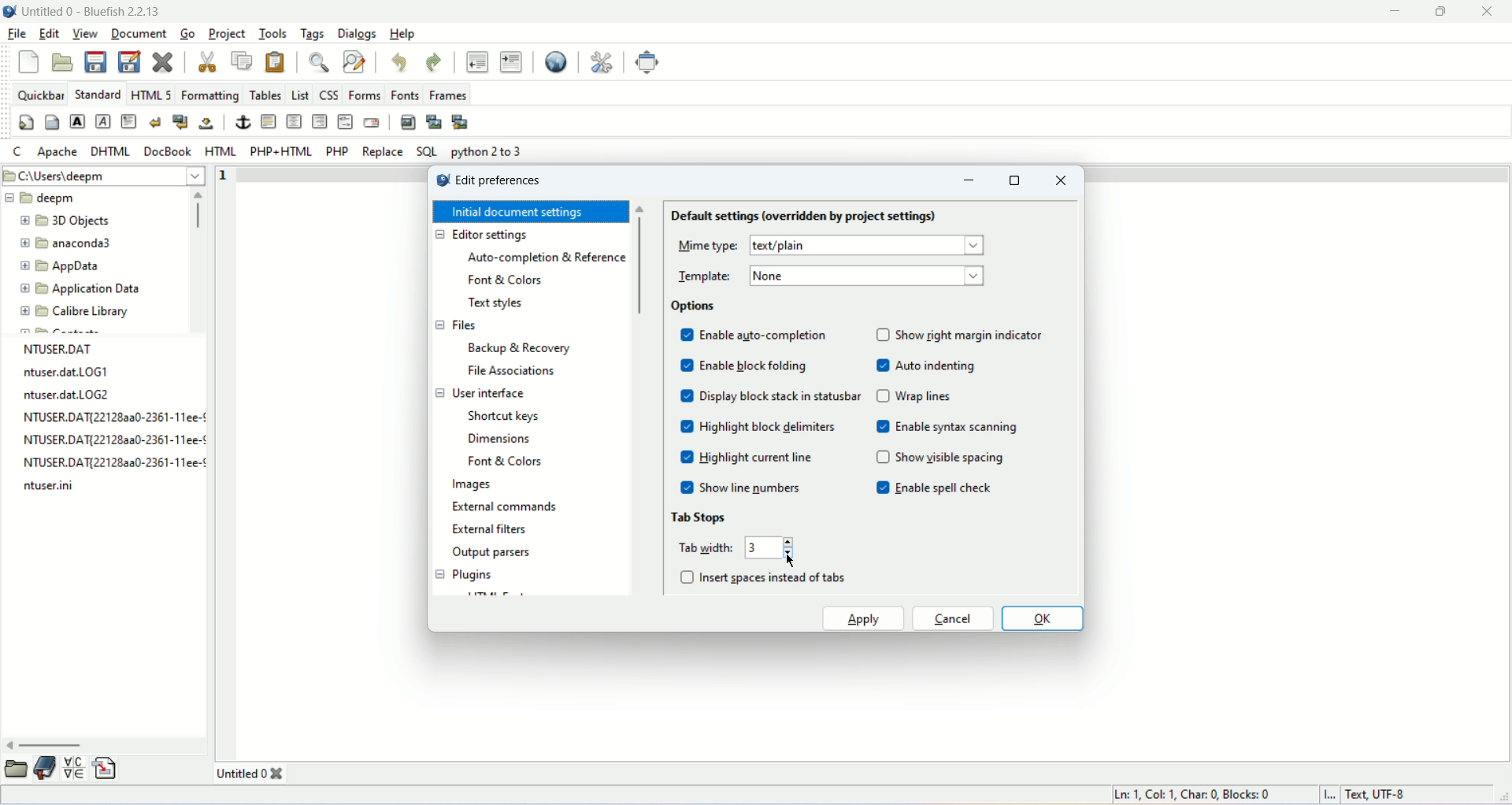 This screenshot has width=1512, height=805. What do you see at coordinates (101, 122) in the screenshot?
I see `emphasis` at bounding box center [101, 122].